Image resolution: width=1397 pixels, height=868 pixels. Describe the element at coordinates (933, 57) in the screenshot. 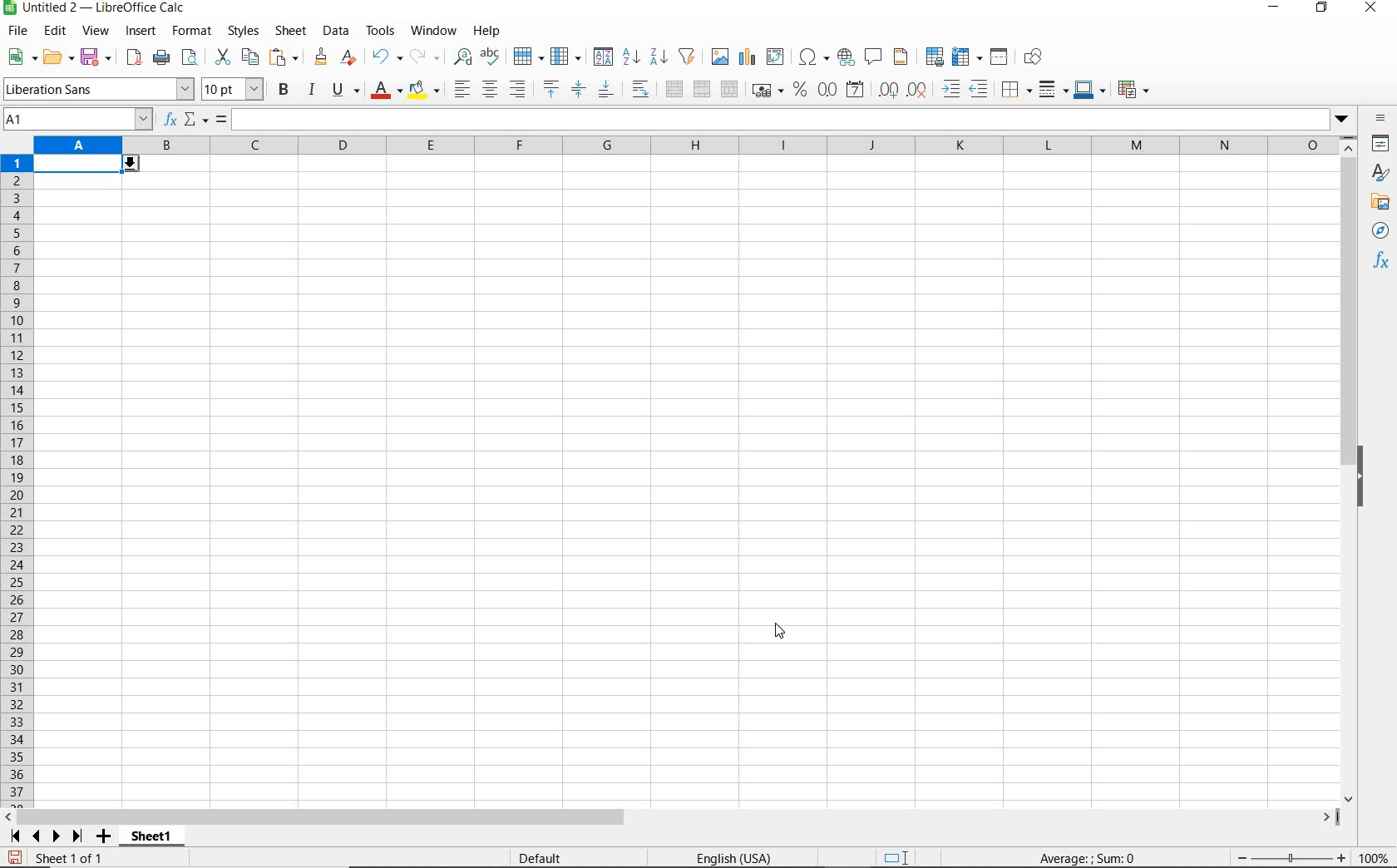

I see `define print area` at that location.